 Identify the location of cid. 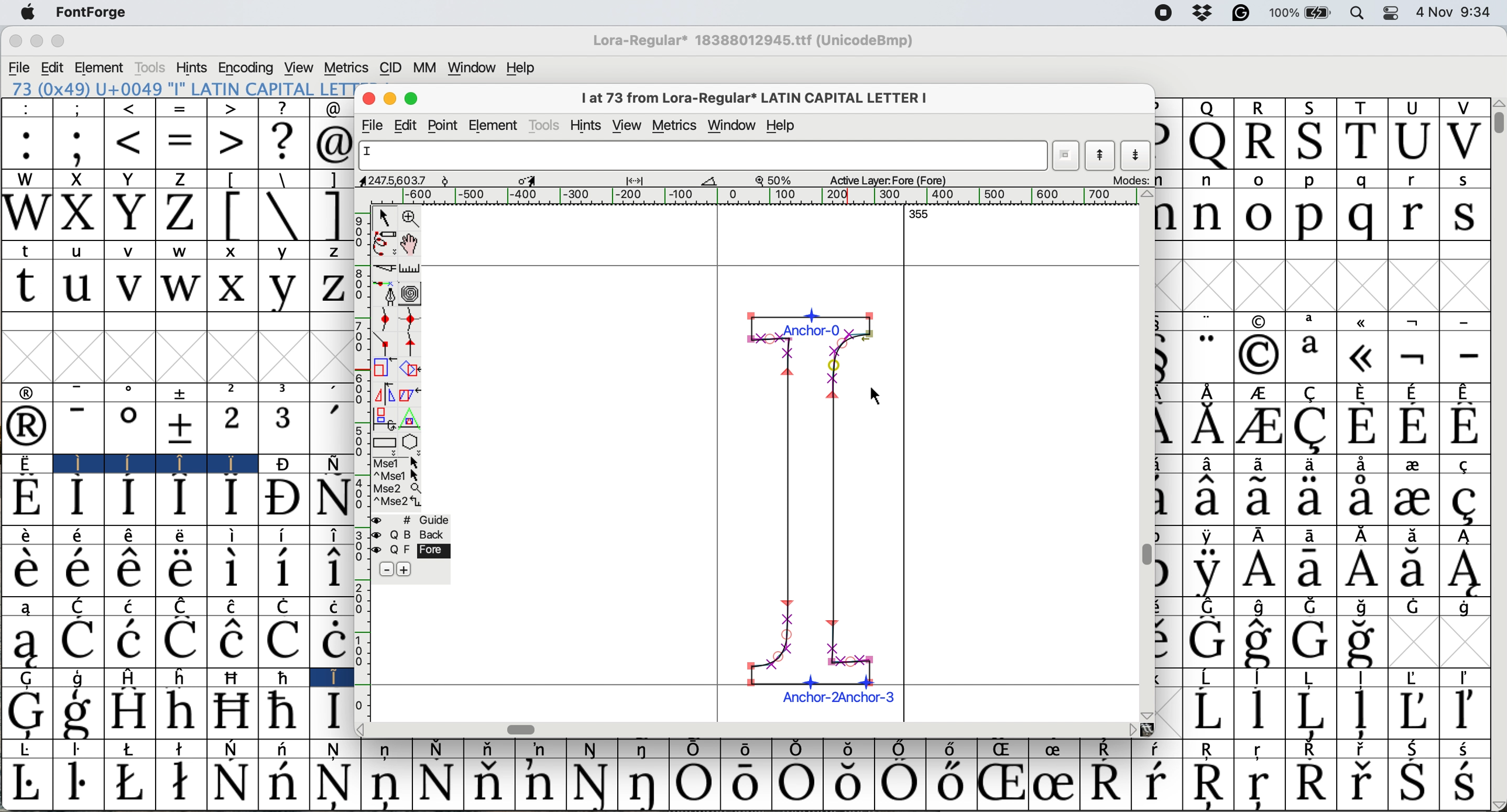
(389, 67).